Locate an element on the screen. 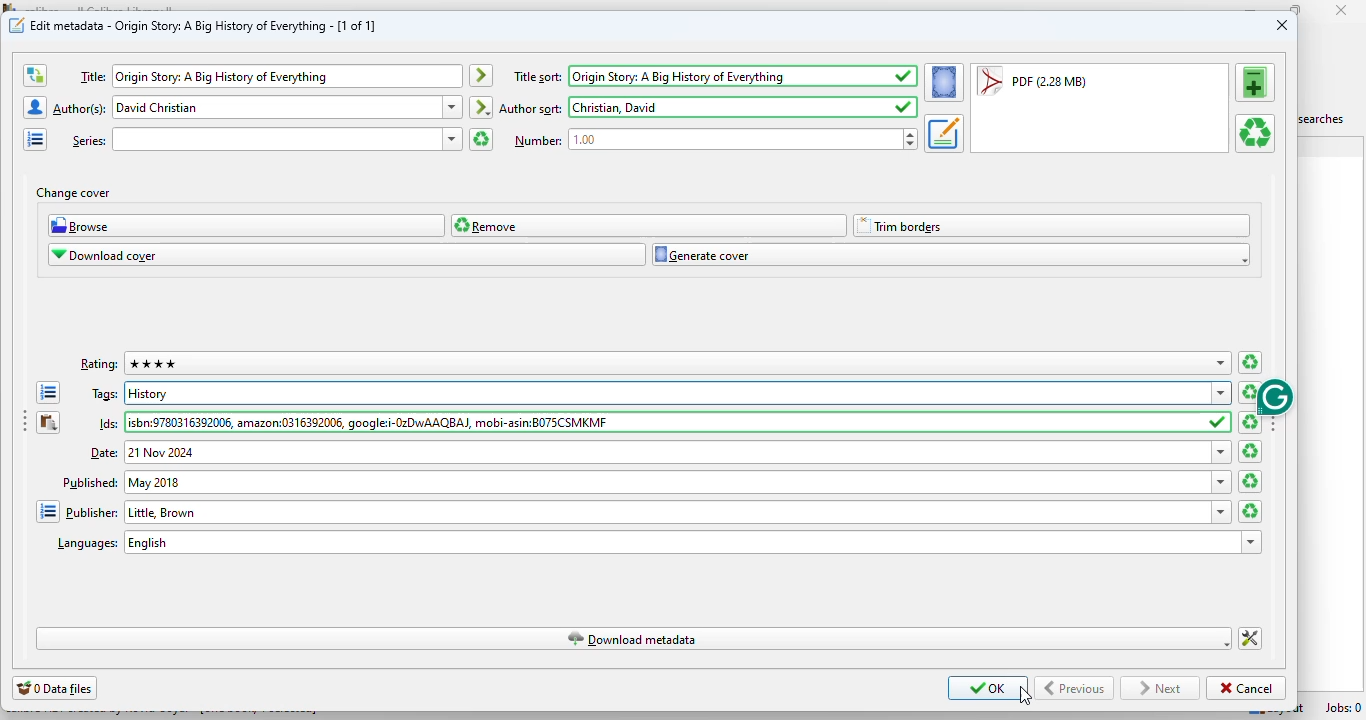 The width and height of the screenshot is (1366, 720). generate cover is located at coordinates (951, 255).